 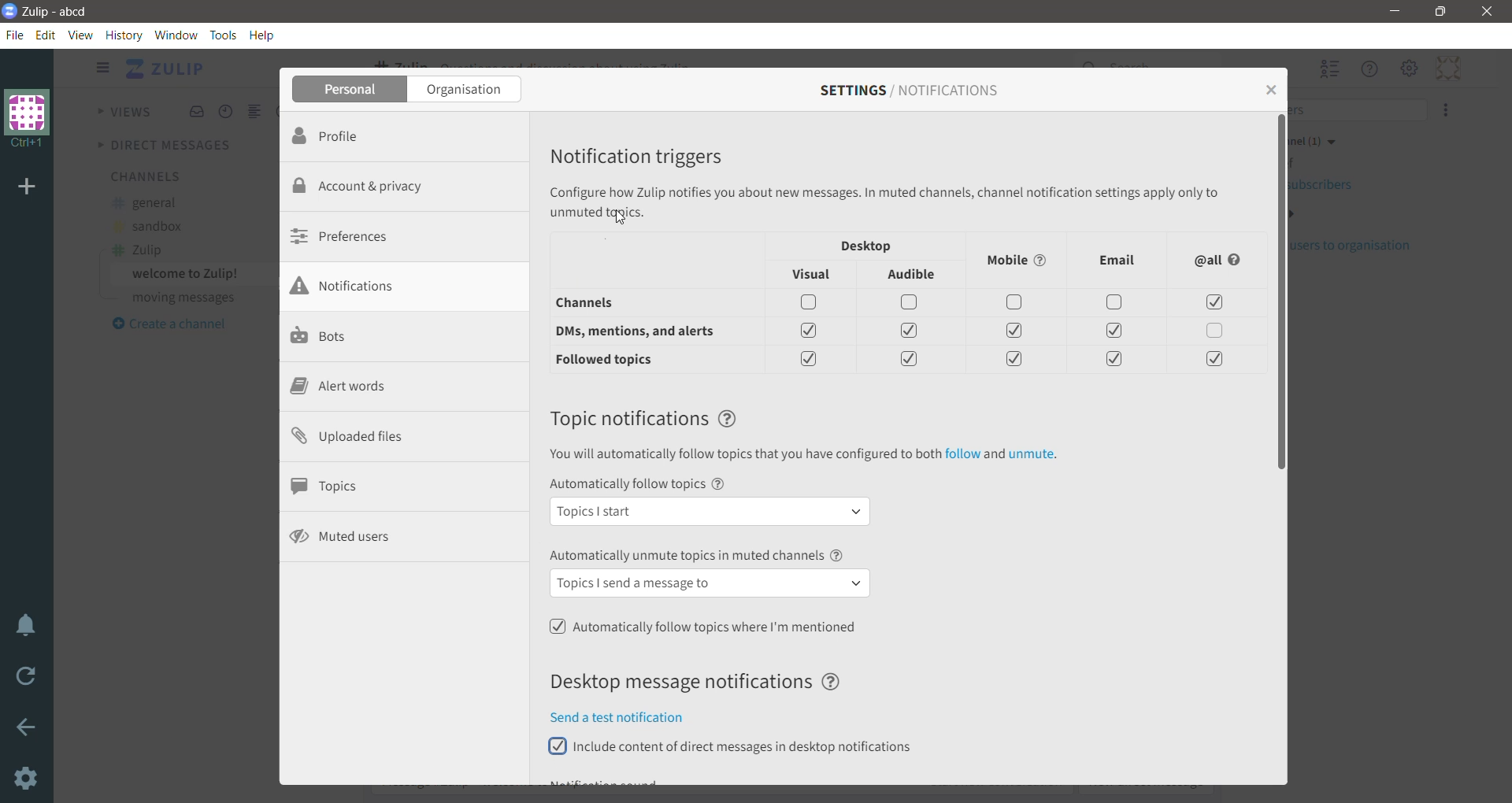 What do you see at coordinates (705, 627) in the screenshot?
I see `(Checkbox enabled) Automatically follow topics where I'm mentioned ` at bounding box center [705, 627].